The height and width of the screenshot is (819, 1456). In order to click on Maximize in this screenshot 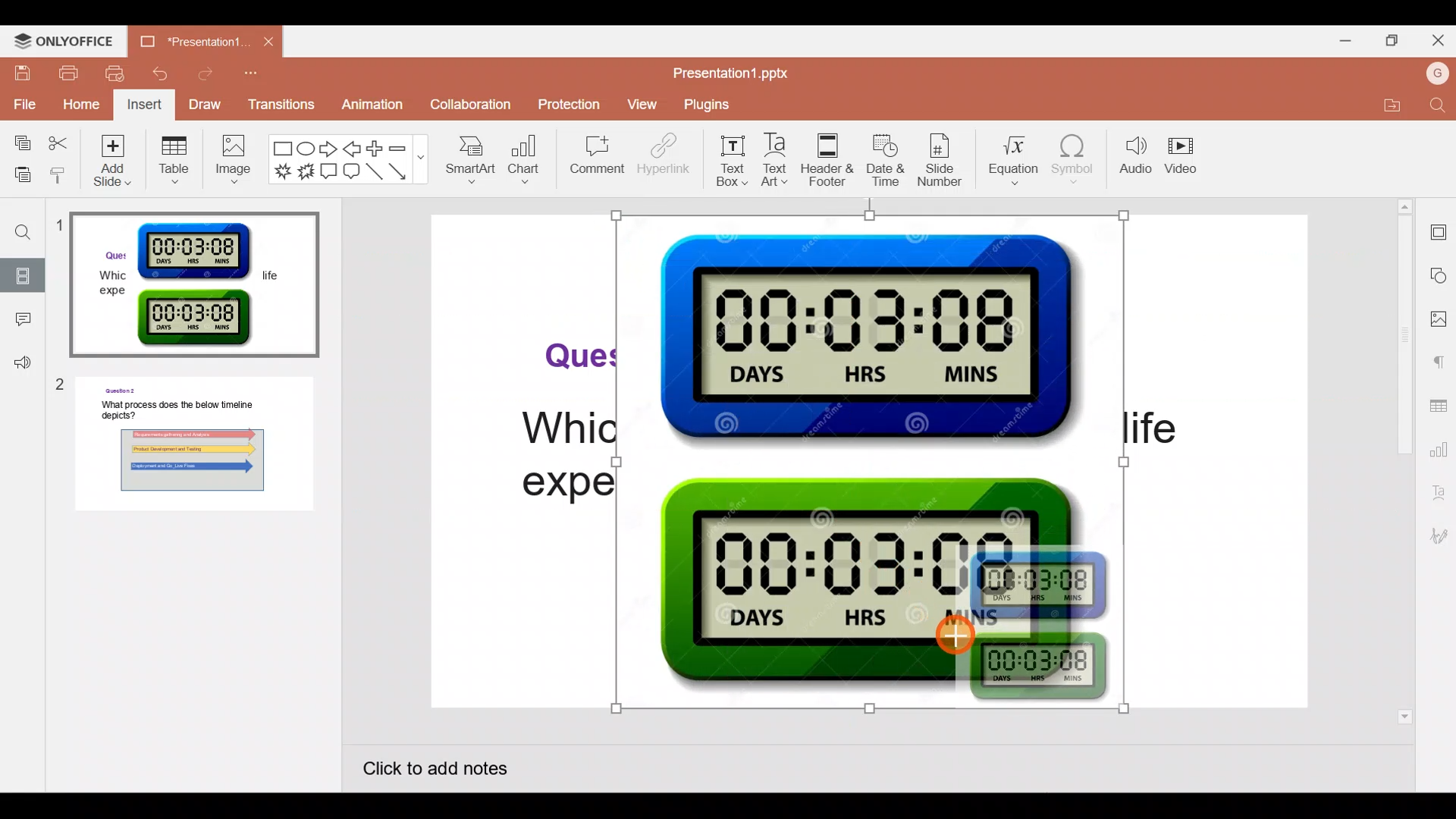, I will do `click(1392, 39)`.